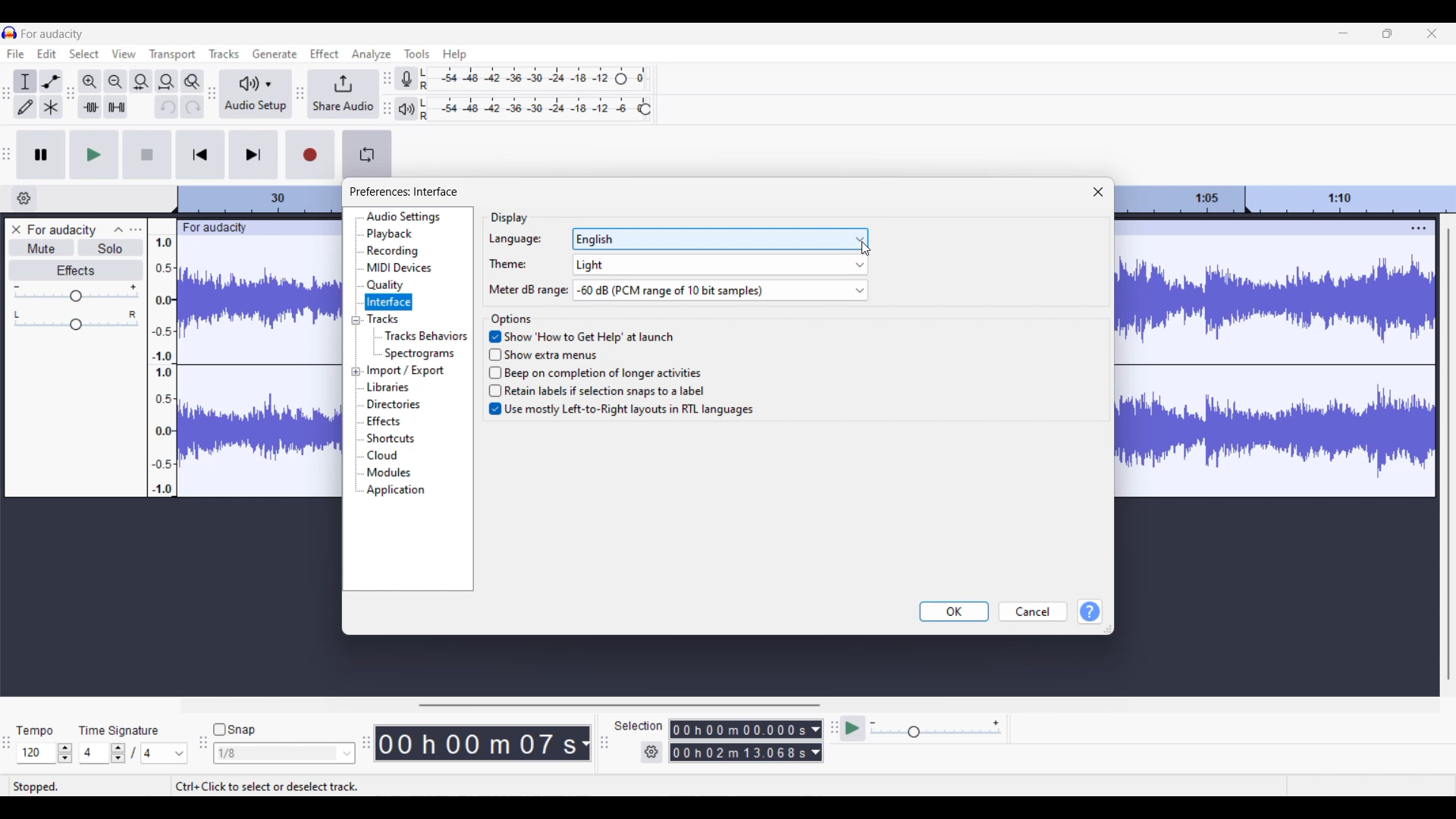  Describe the element at coordinates (1090, 612) in the screenshot. I see `Help` at that location.